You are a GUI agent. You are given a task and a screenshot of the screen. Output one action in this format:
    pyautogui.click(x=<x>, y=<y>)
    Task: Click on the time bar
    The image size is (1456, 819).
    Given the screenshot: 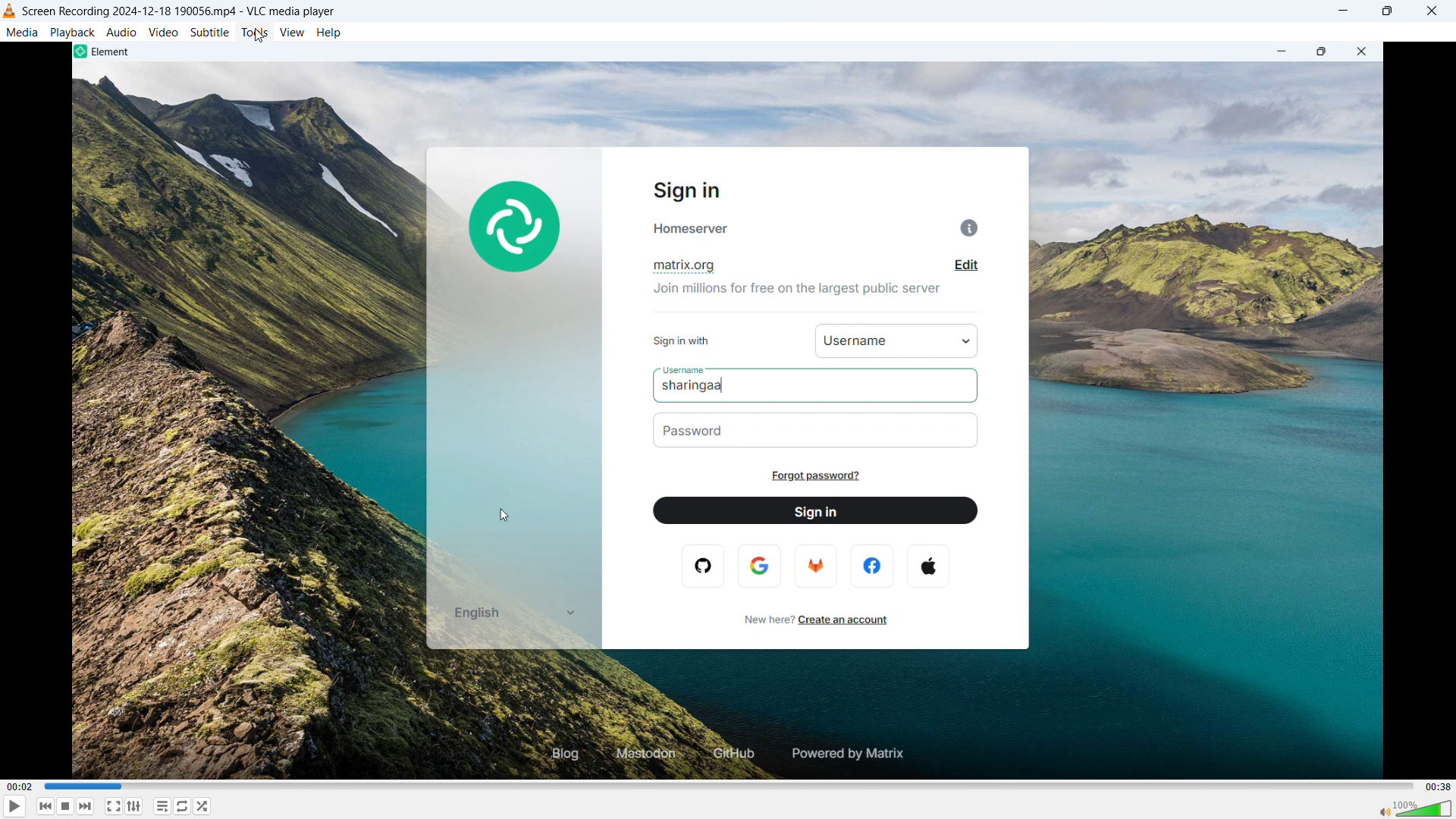 What is the action you would take?
    pyautogui.click(x=730, y=786)
    